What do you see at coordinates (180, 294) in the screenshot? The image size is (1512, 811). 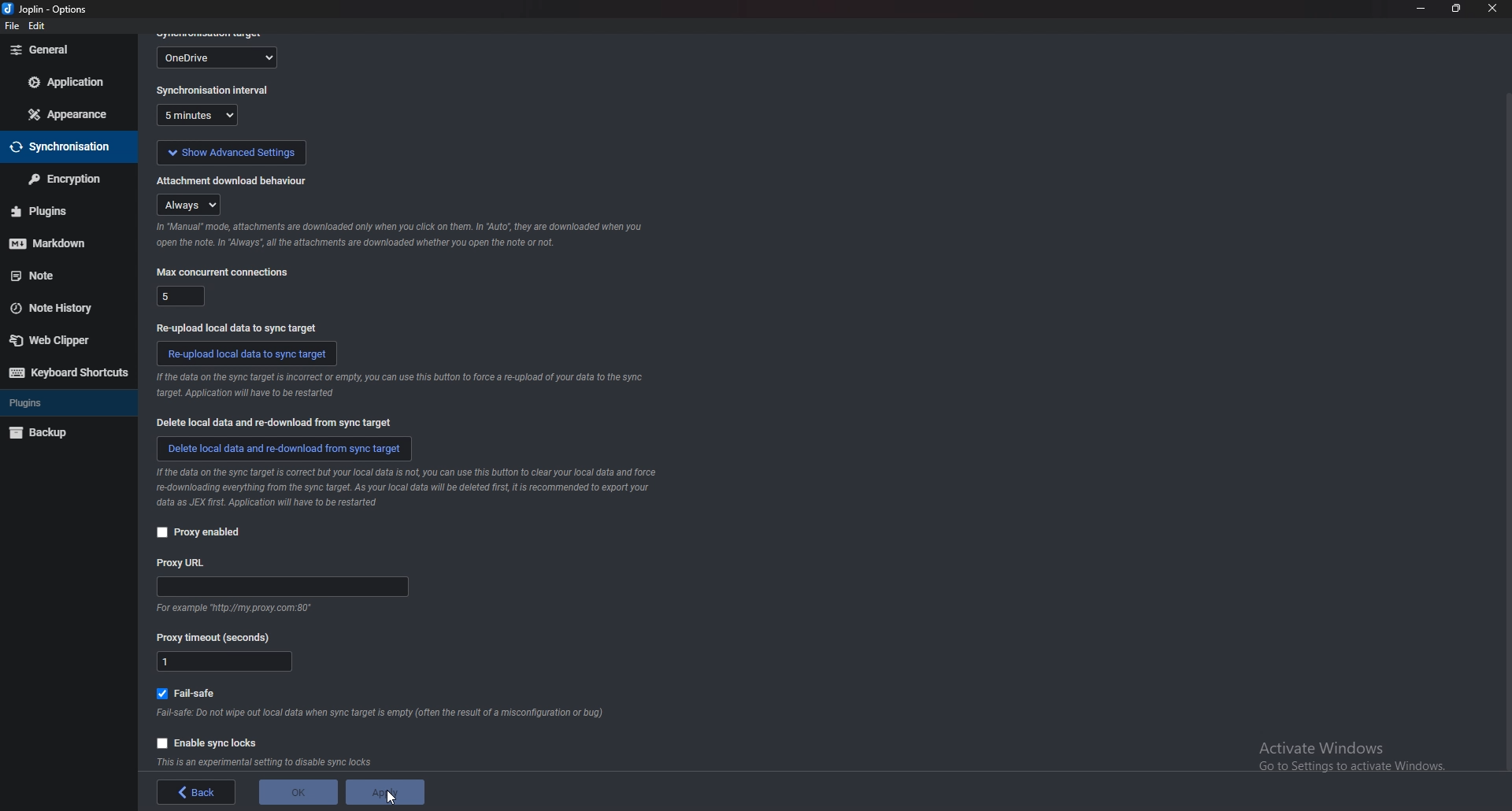 I see `max concurrent connections` at bounding box center [180, 294].